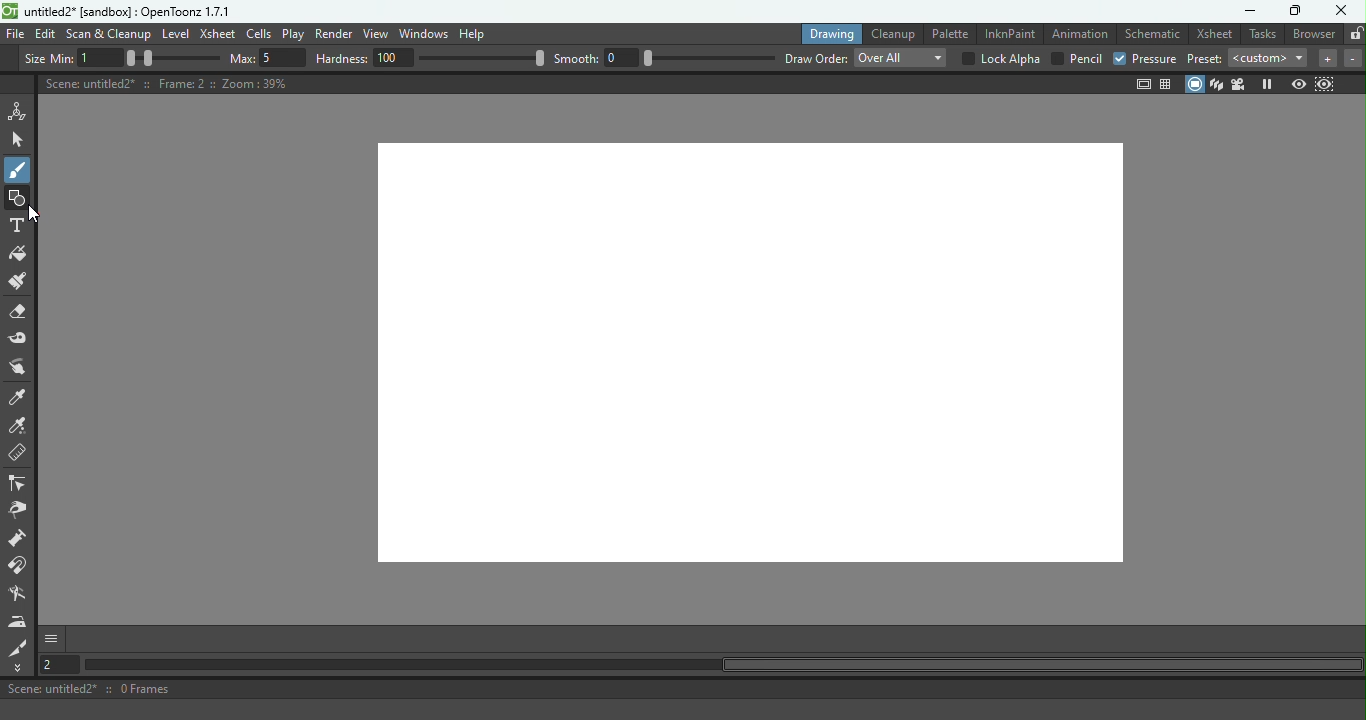 The image size is (1366, 720). Describe the element at coordinates (108, 34) in the screenshot. I see `Scan & Cleanup` at that location.